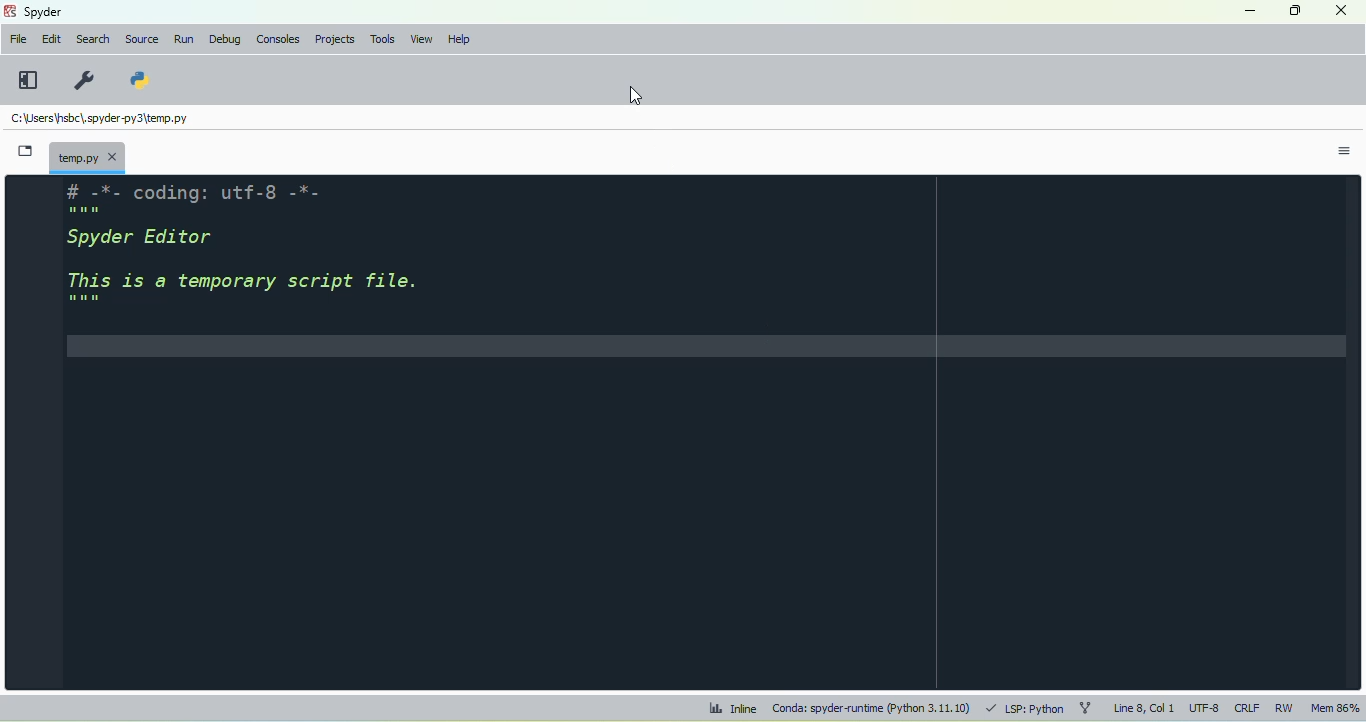  Describe the element at coordinates (101, 120) in the screenshot. I see `temporary file` at that location.